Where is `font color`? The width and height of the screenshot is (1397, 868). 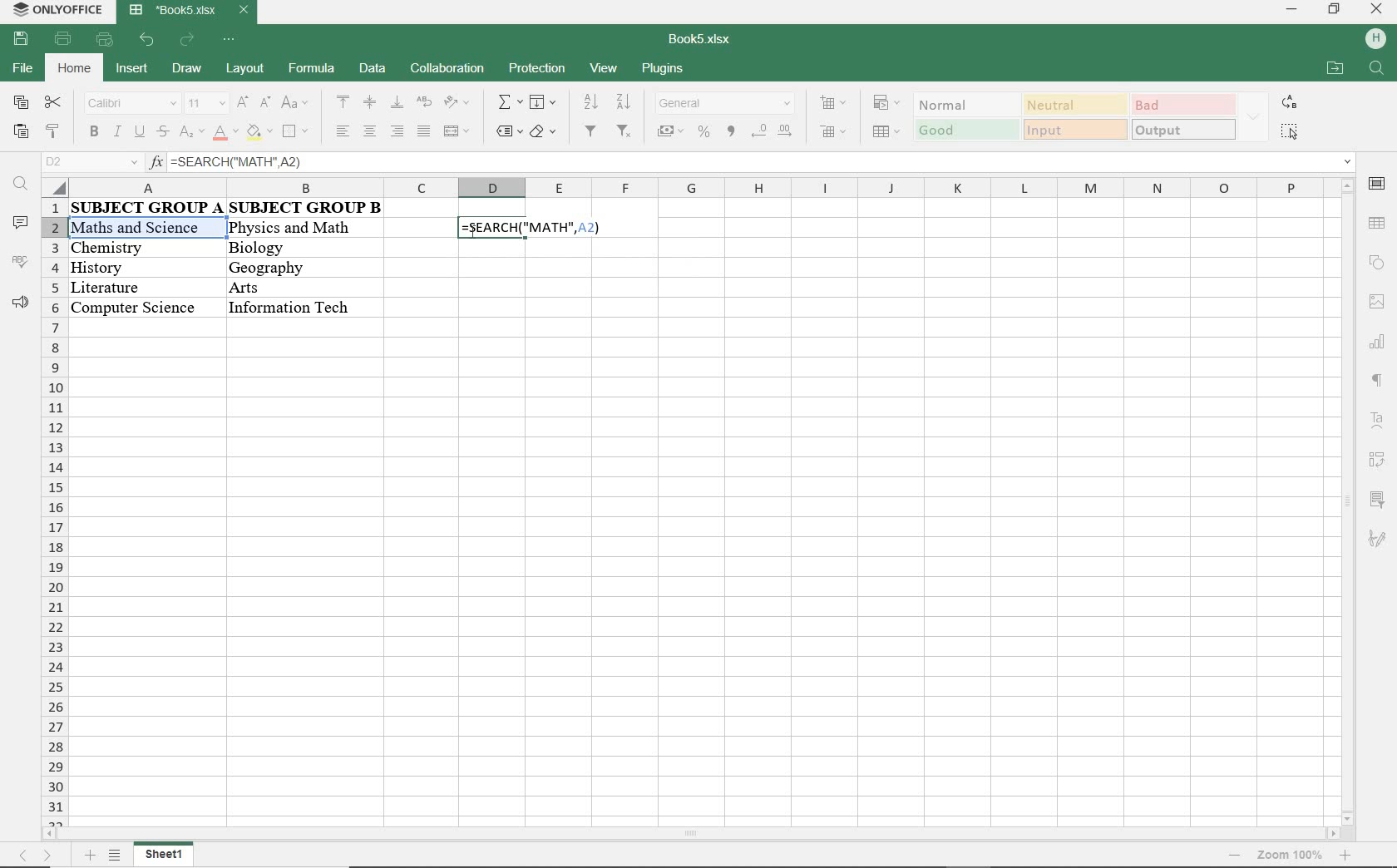 font color is located at coordinates (227, 133).